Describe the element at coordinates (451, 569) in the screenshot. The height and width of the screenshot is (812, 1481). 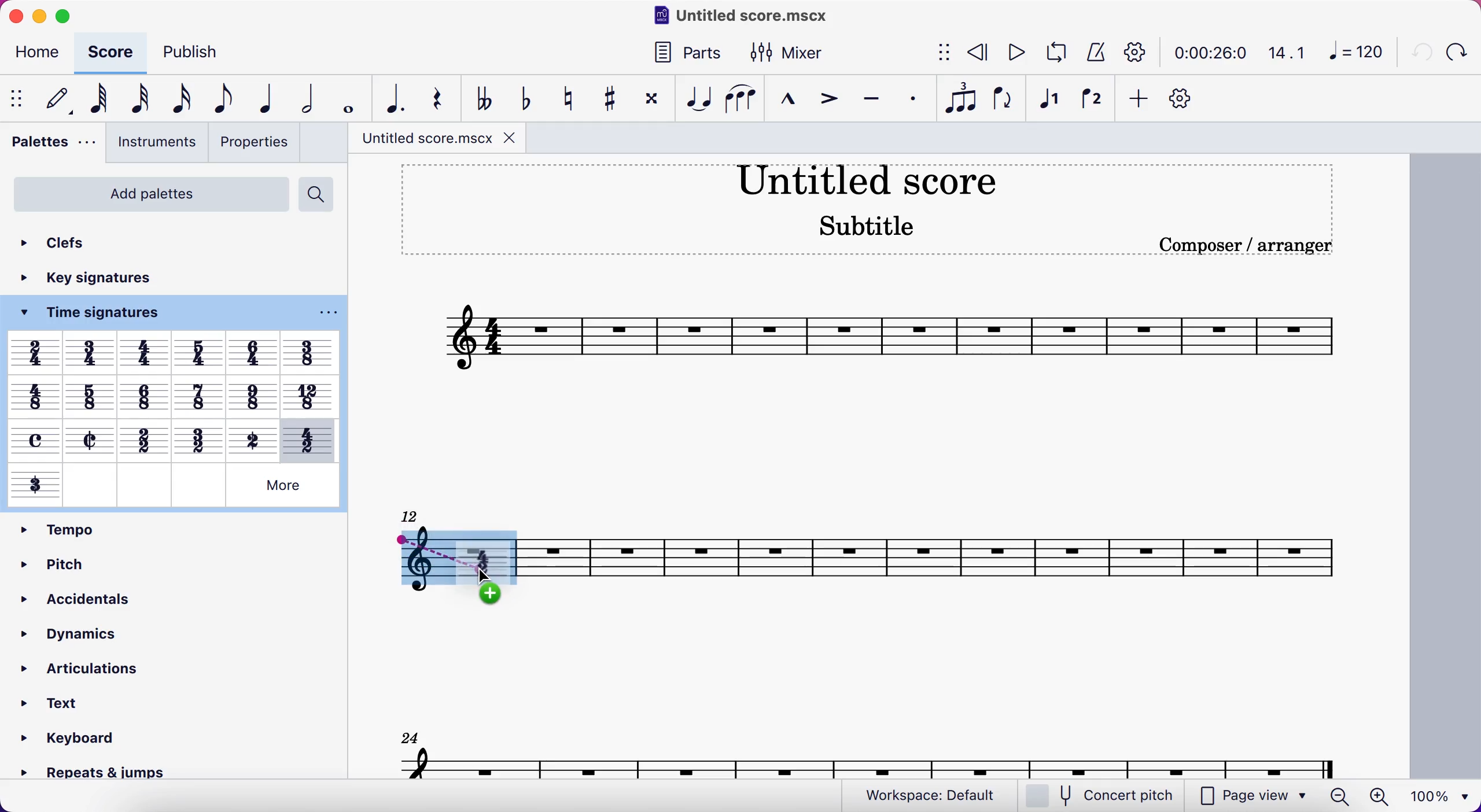
I see `time signature dragging` at that location.